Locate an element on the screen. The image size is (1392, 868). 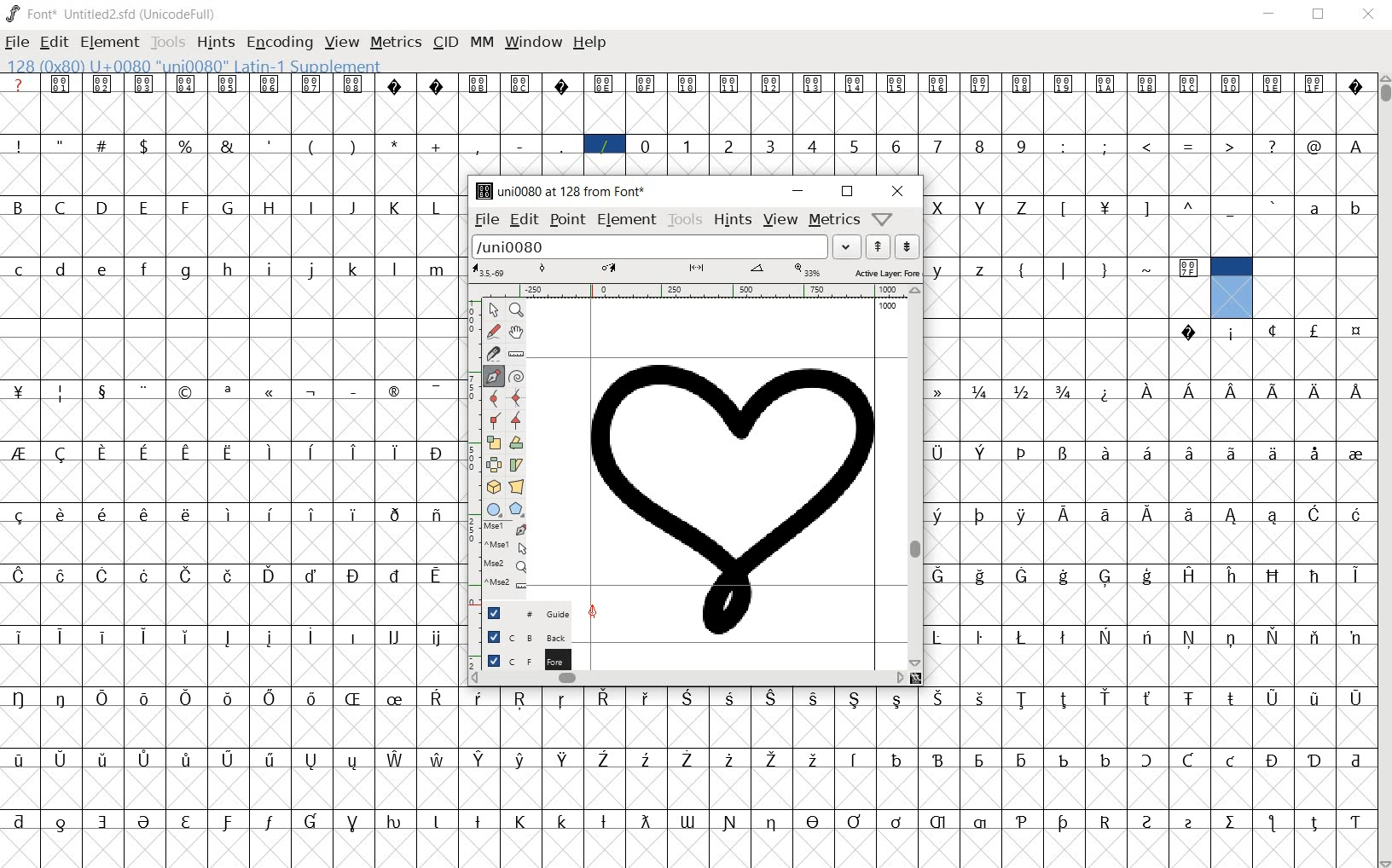
glyph is located at coordinates (143, 146).